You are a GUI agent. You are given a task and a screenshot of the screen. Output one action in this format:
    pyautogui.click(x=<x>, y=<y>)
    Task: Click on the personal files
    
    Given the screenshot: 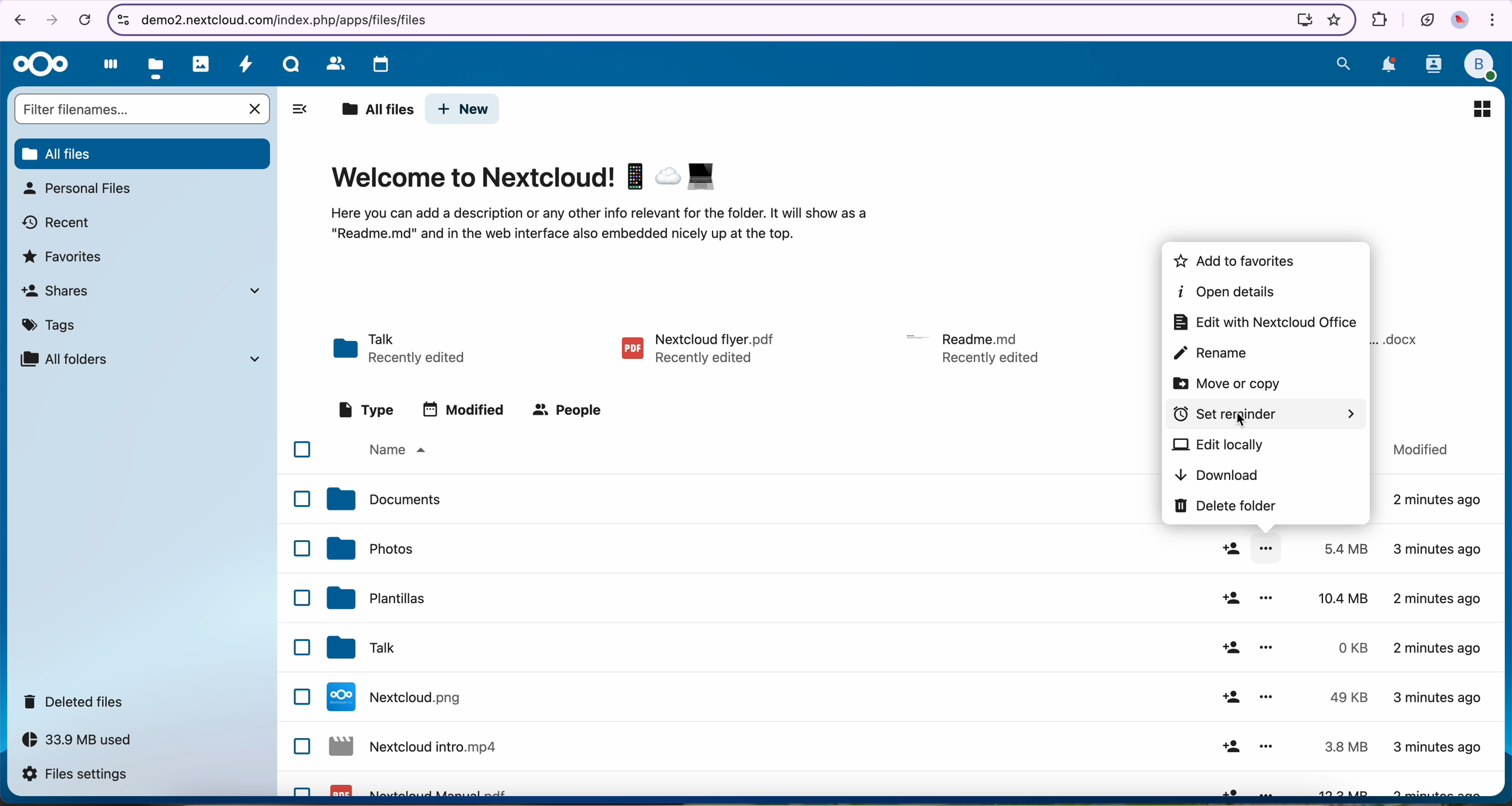 What is the action you would take?
    pyautogui.click(x=82, y=190)
    